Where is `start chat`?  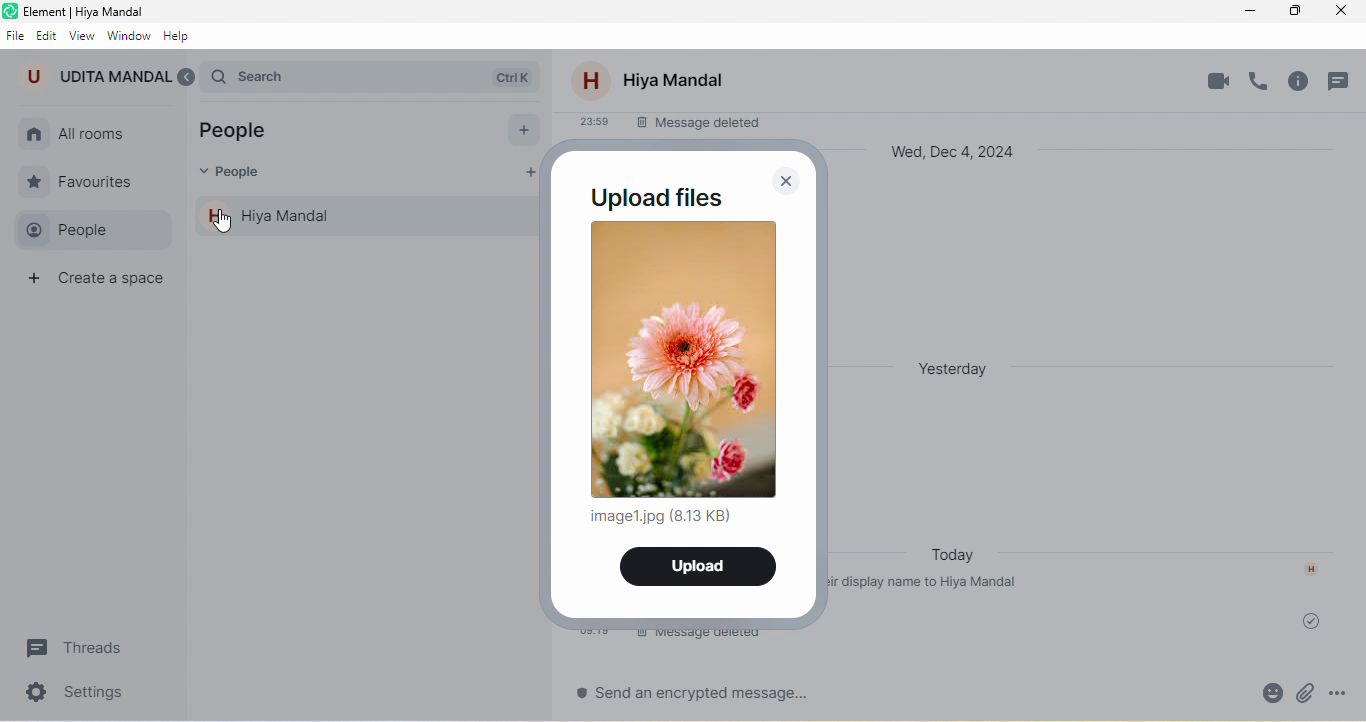
start chat is located at coordinates (528, 175).